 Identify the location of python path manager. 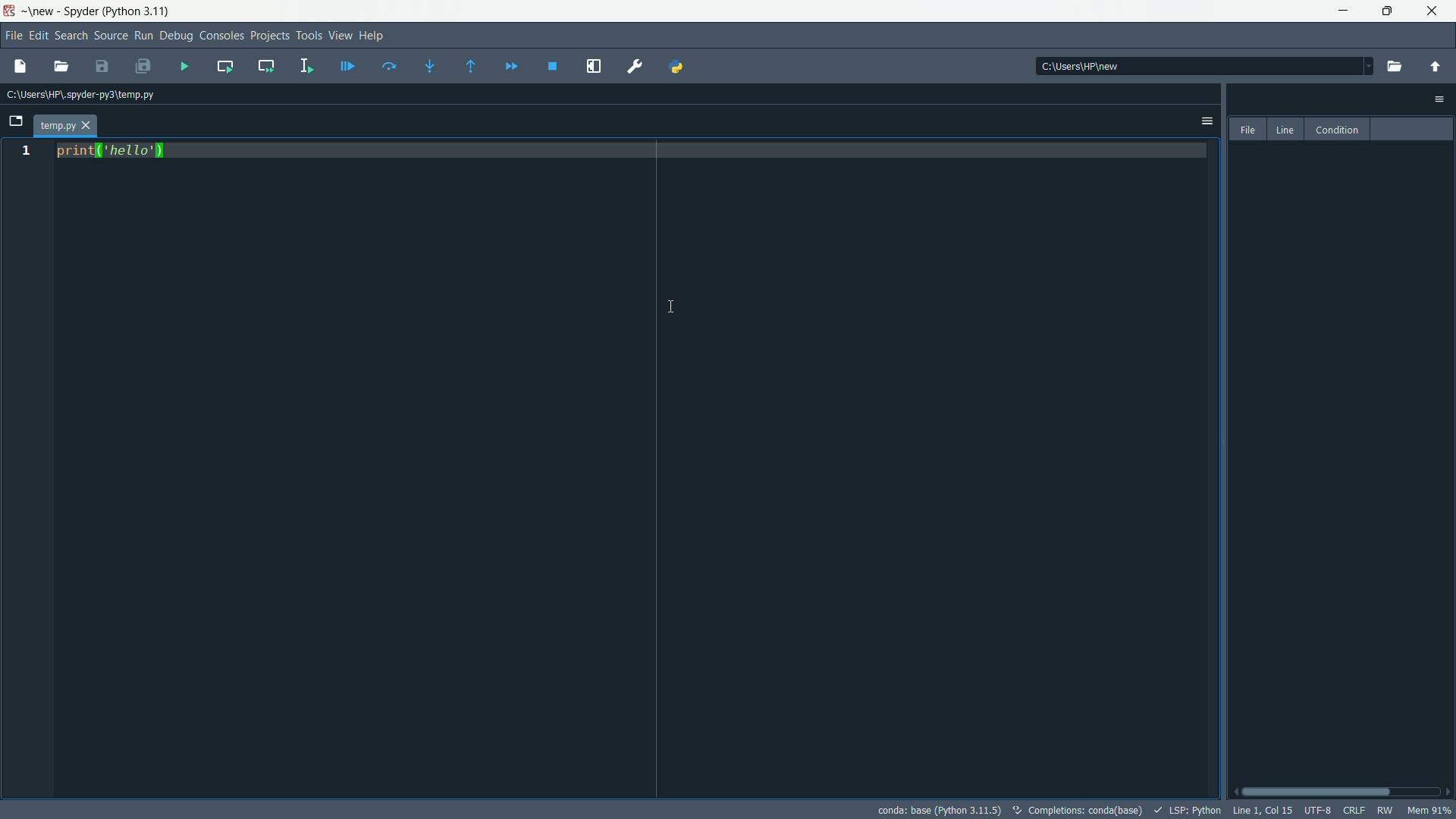
(677, 67).